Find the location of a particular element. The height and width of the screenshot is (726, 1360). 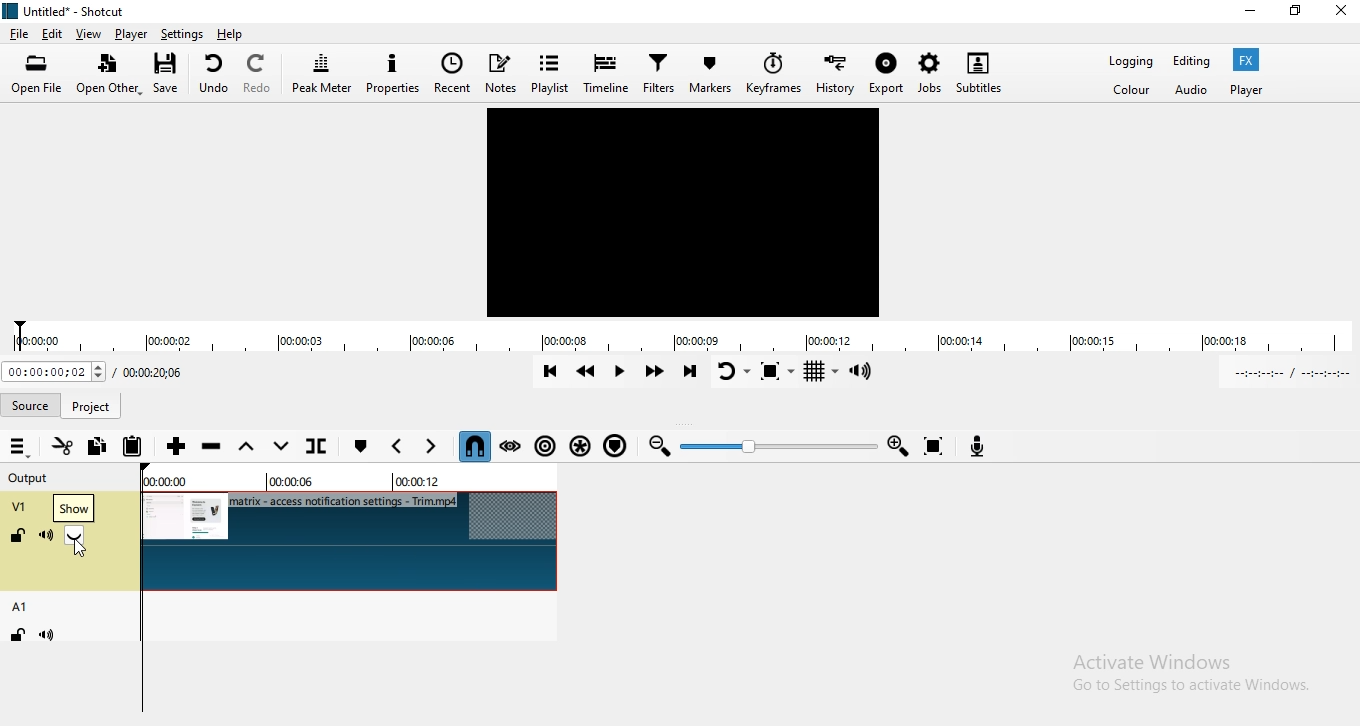

Video track is located at coordinates (349, 541).